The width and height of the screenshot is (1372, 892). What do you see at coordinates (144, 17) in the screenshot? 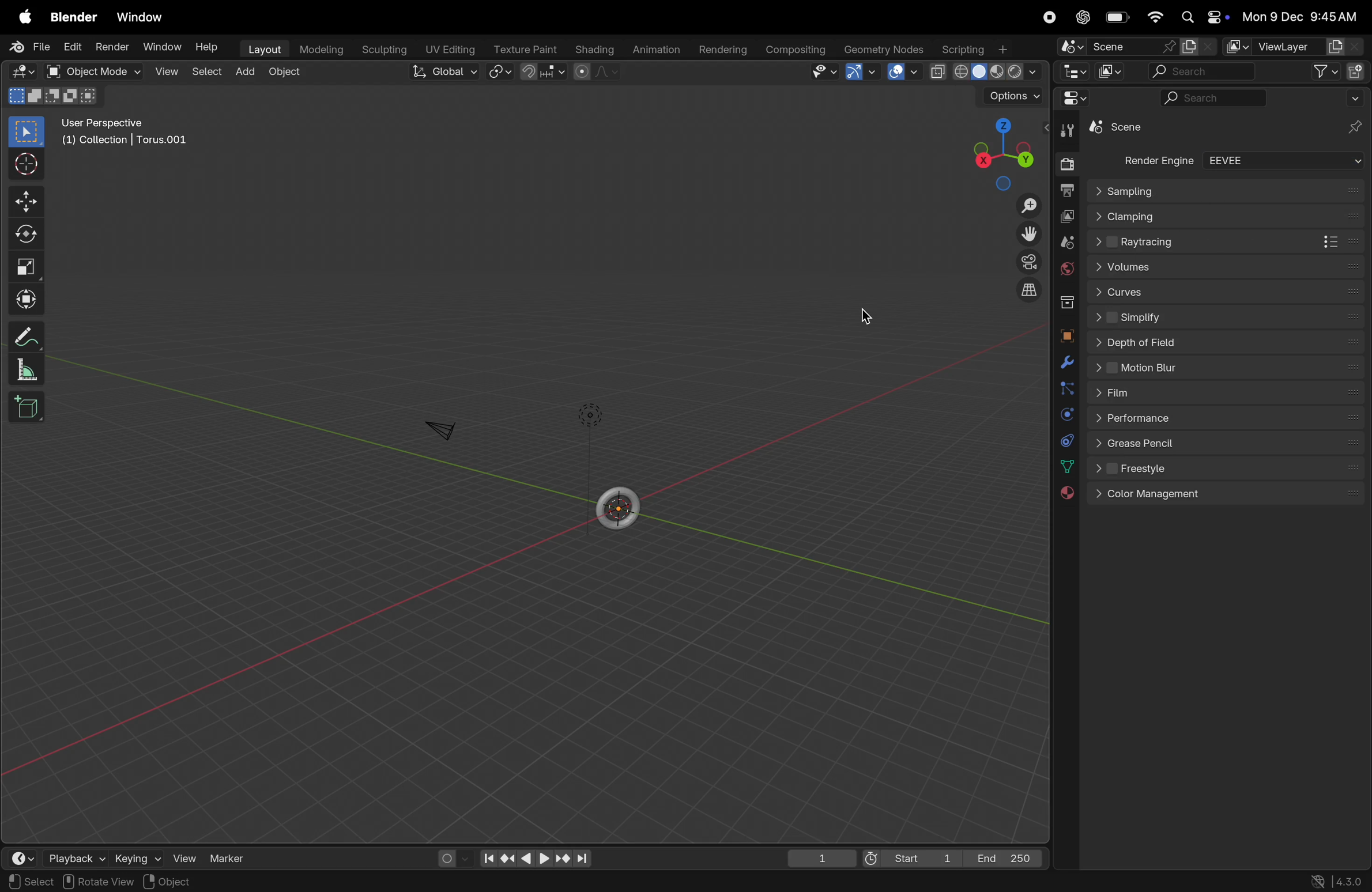
I see `Window` at bounding box center [144, 17].